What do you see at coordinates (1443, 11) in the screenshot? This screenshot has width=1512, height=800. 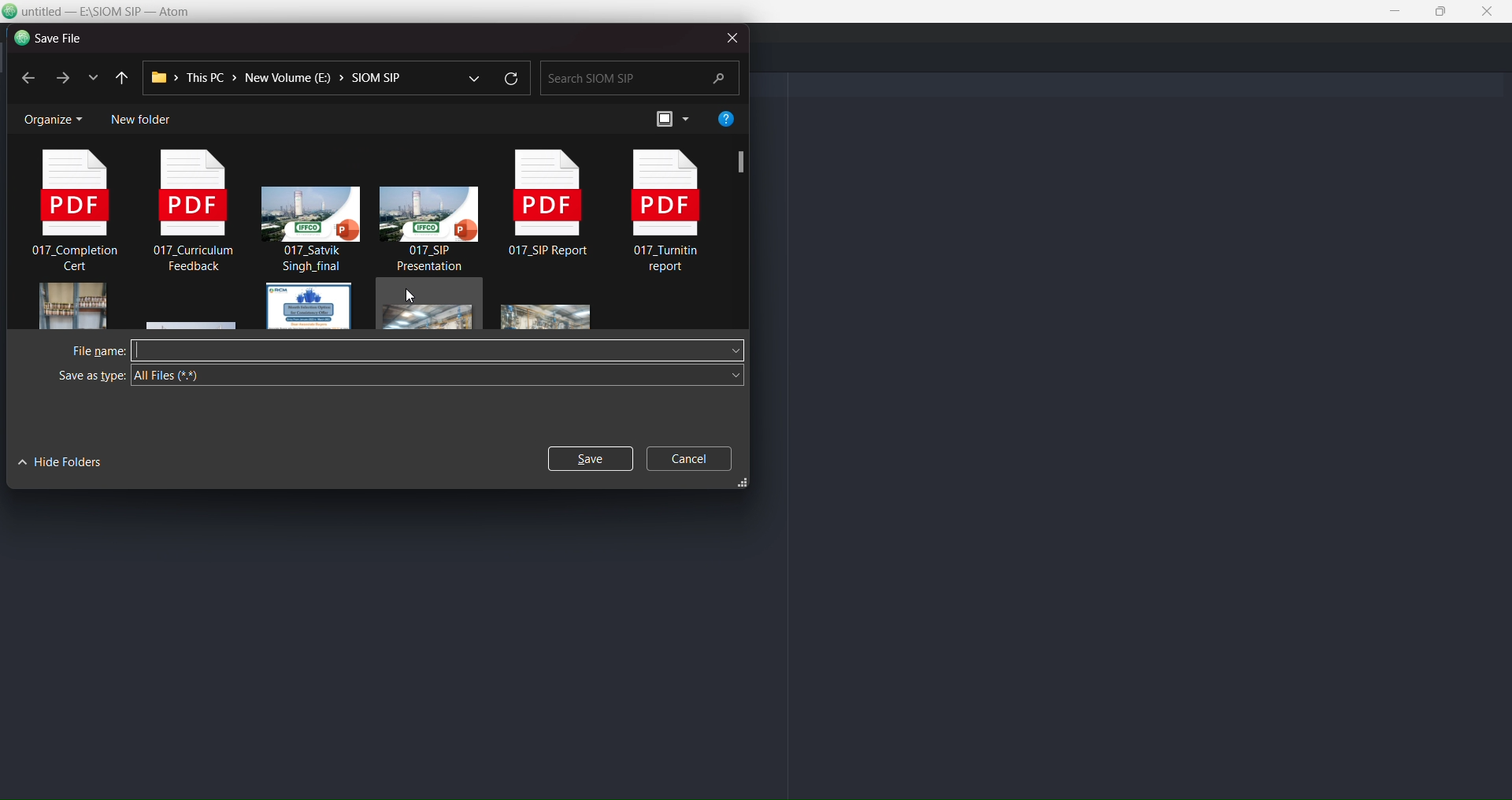 I see `maximize` at bounding box center [1443, 11].